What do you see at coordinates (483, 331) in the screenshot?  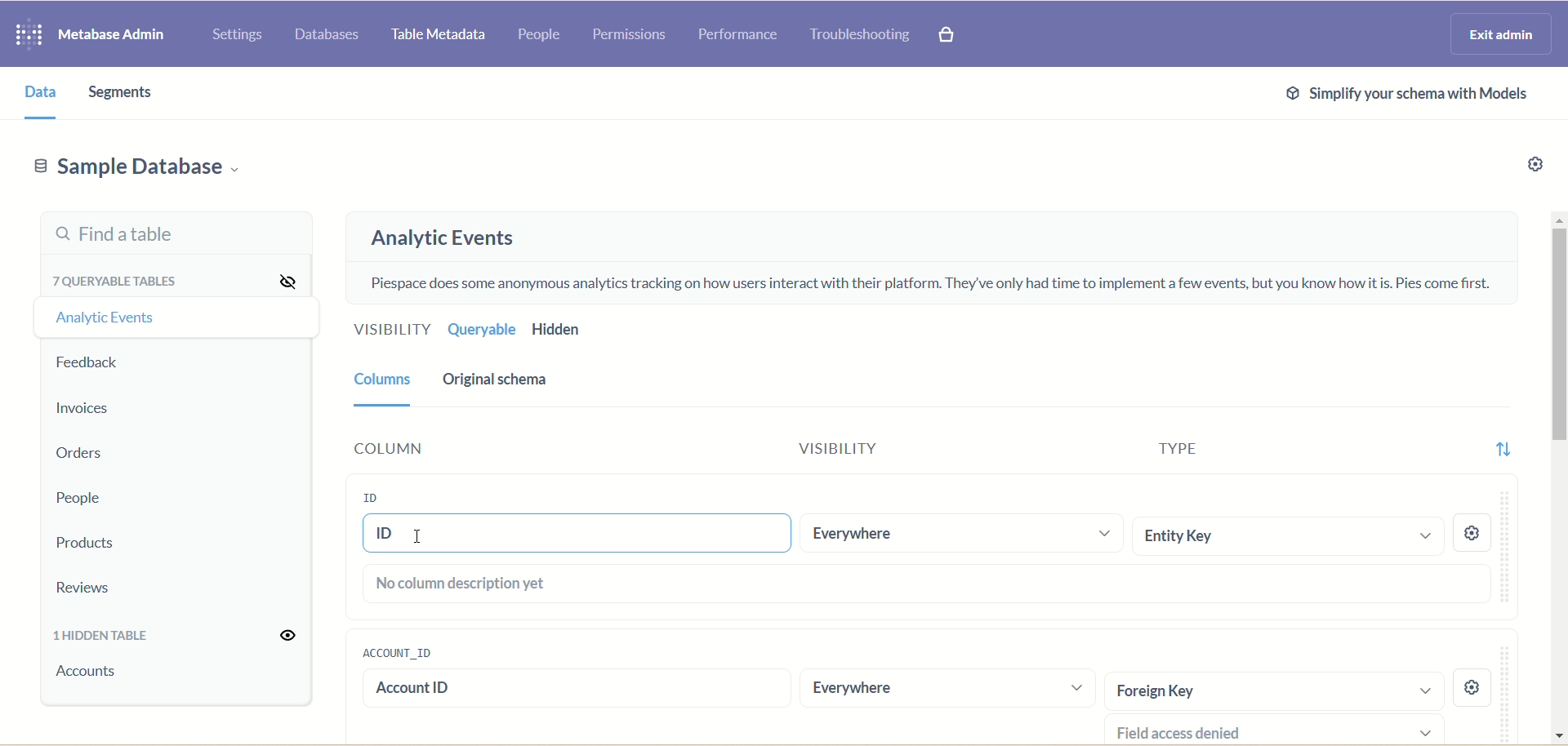 I see `Queryable` at bounding box center [483, 331].